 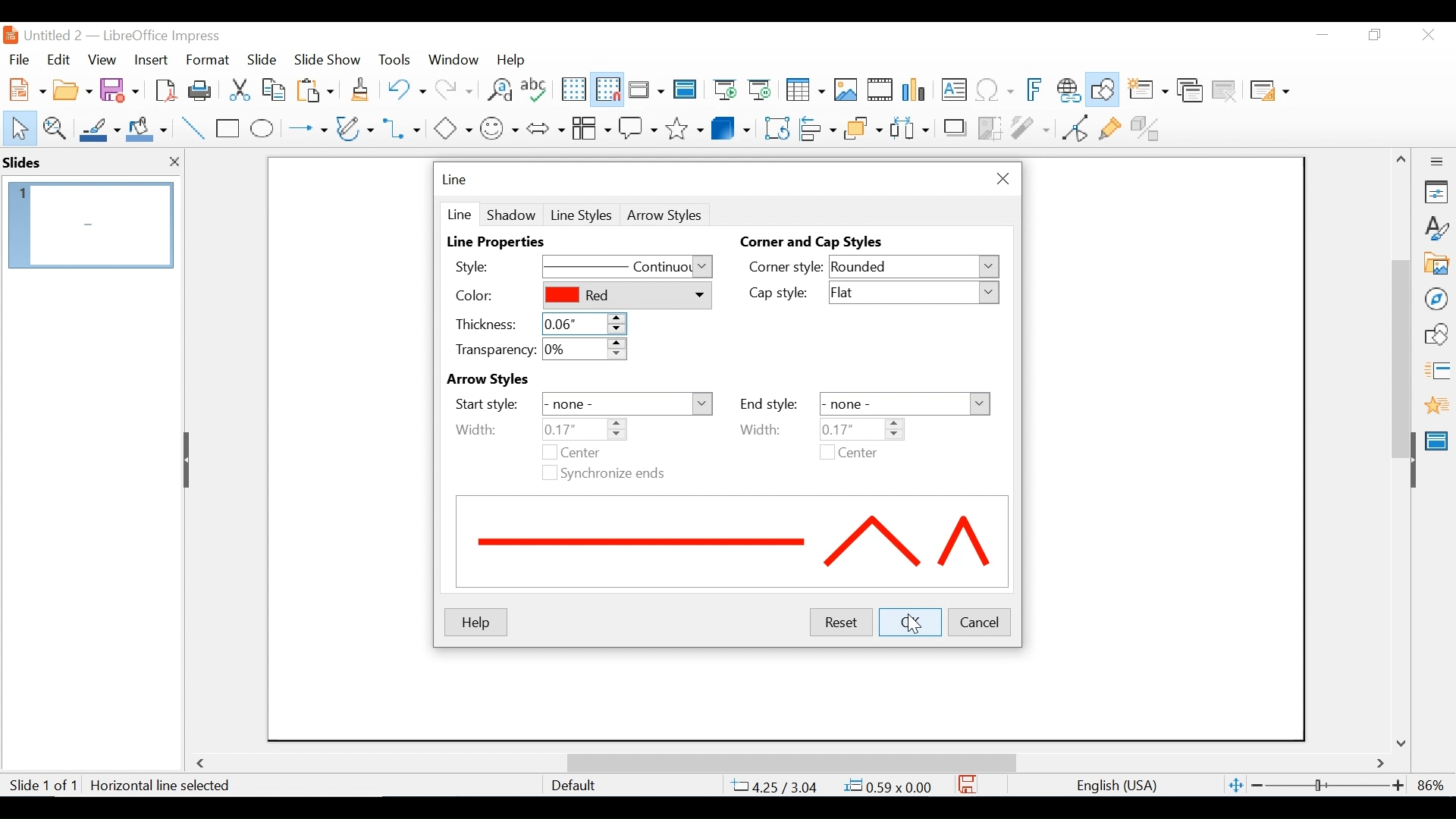 I want to click on Ellipse, so click(x=262, y=129).